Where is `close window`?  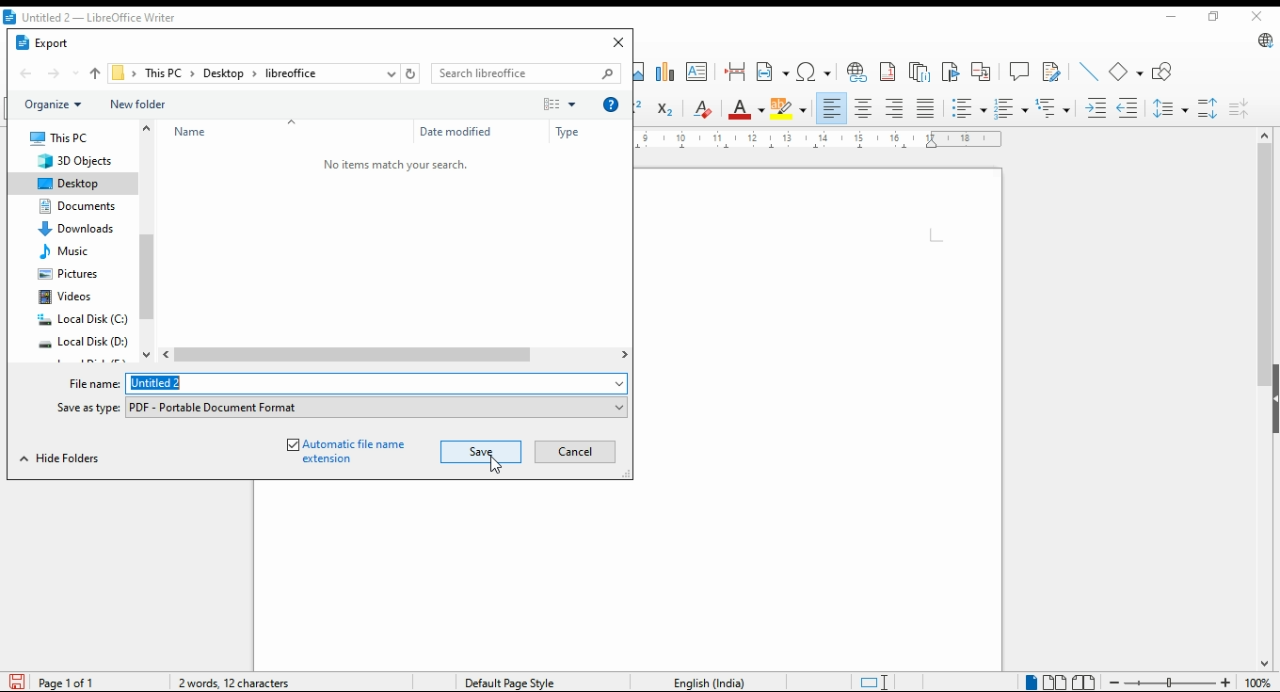
close window is located at coordinates (1259, 18).